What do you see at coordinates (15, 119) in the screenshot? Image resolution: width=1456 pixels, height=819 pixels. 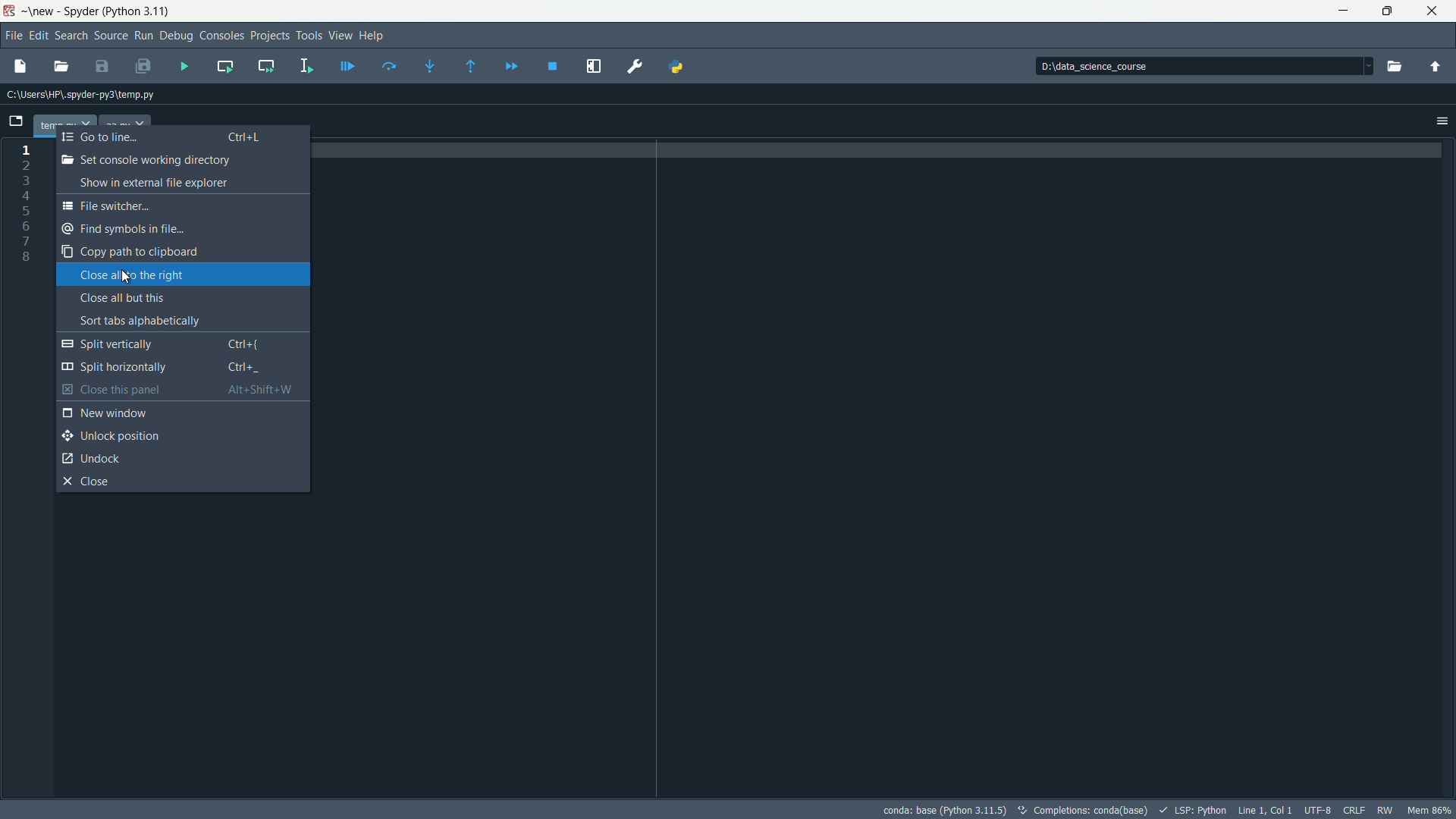 I see `browse tabs` at bounding box center [15, 119].